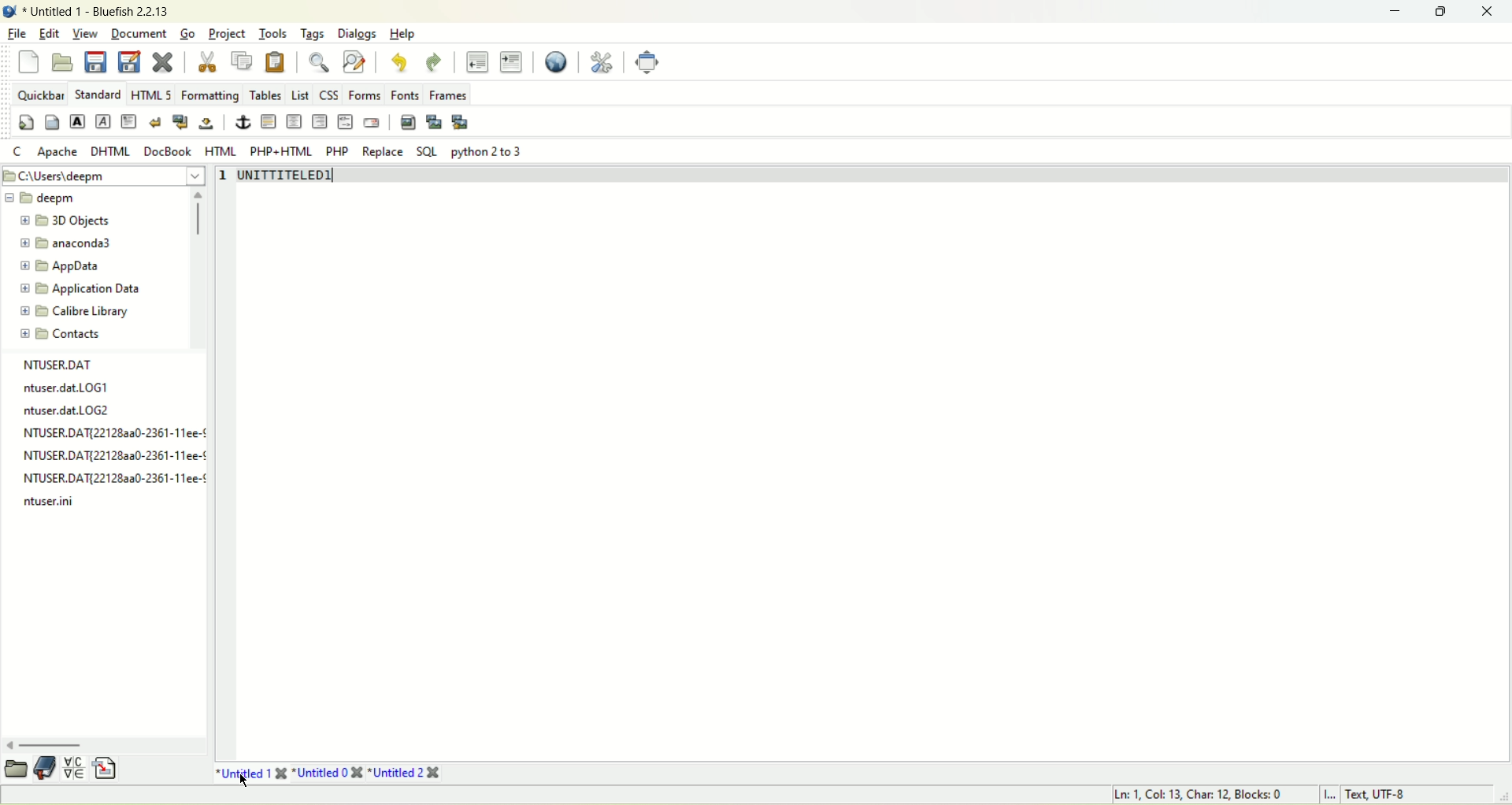  What do you see at coordinates (68, 336) in the screenshot?
I see `contacts` at bounding box center [68, 336].